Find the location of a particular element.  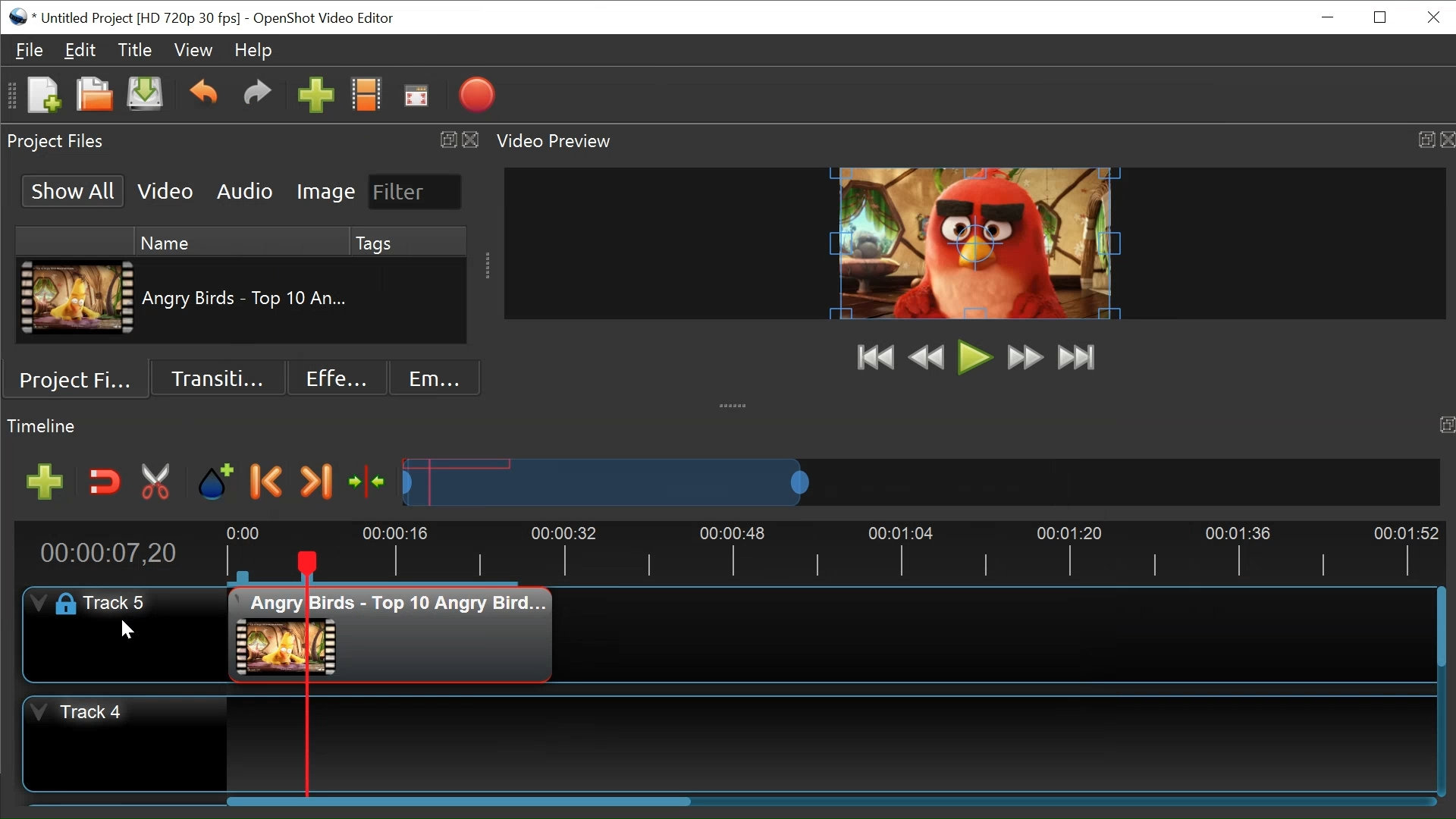

Titles is located at coordinates (136, 50).